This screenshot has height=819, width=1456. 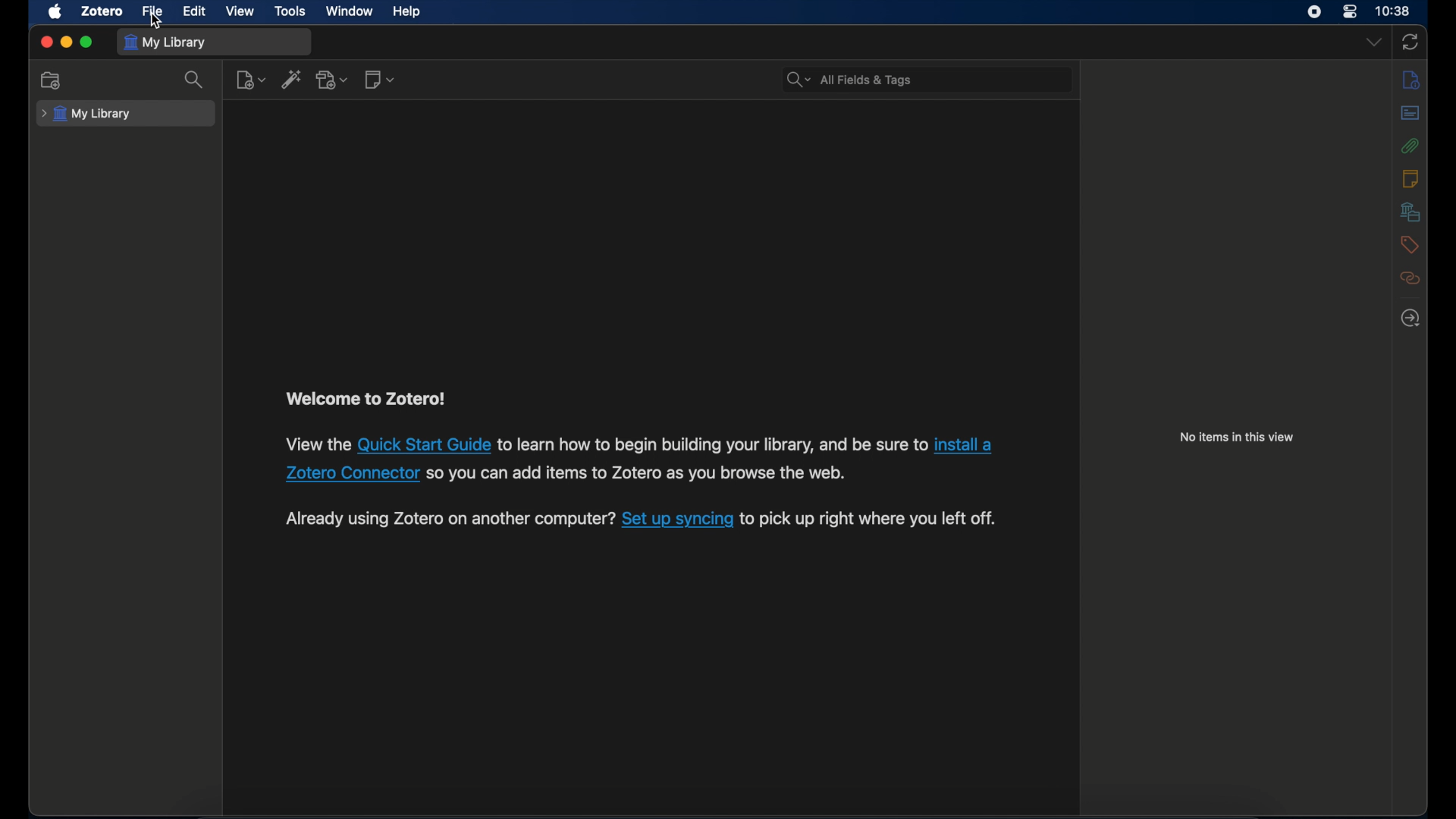 I want to click on close, so click(x=45, y=42).